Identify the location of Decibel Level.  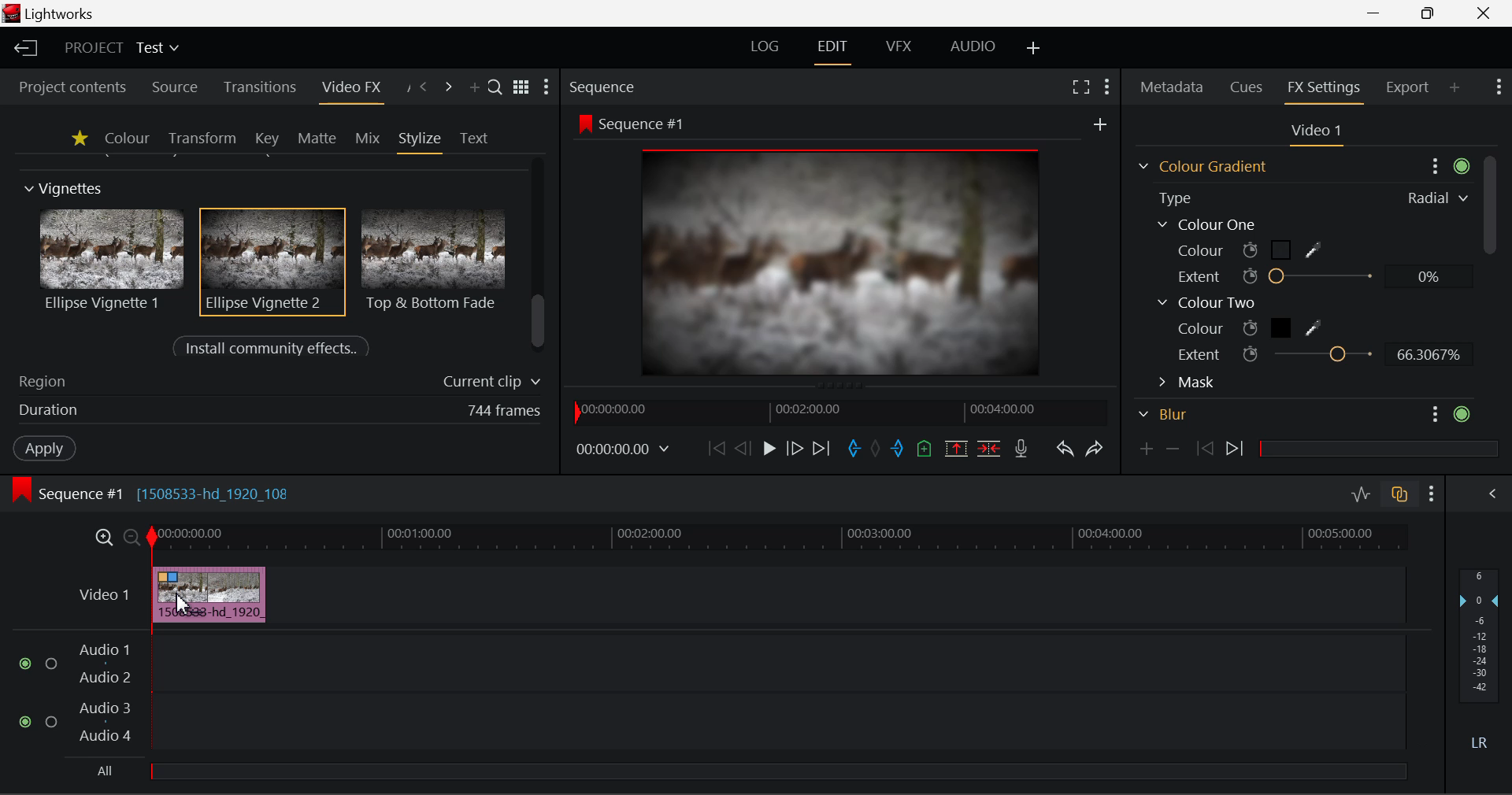
(1480, 664).